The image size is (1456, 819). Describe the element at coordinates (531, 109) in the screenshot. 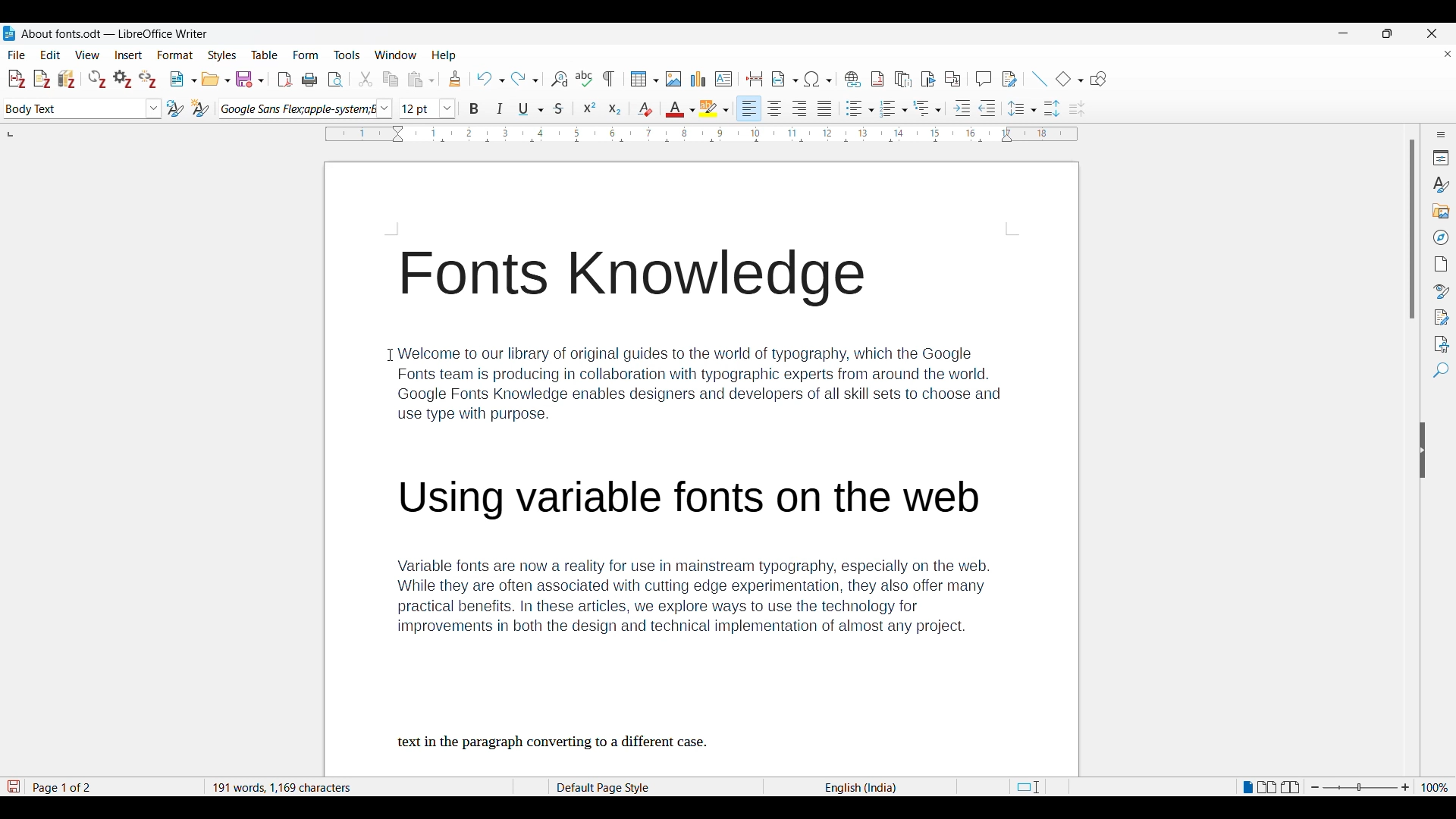

I see `Underline options` at that location.